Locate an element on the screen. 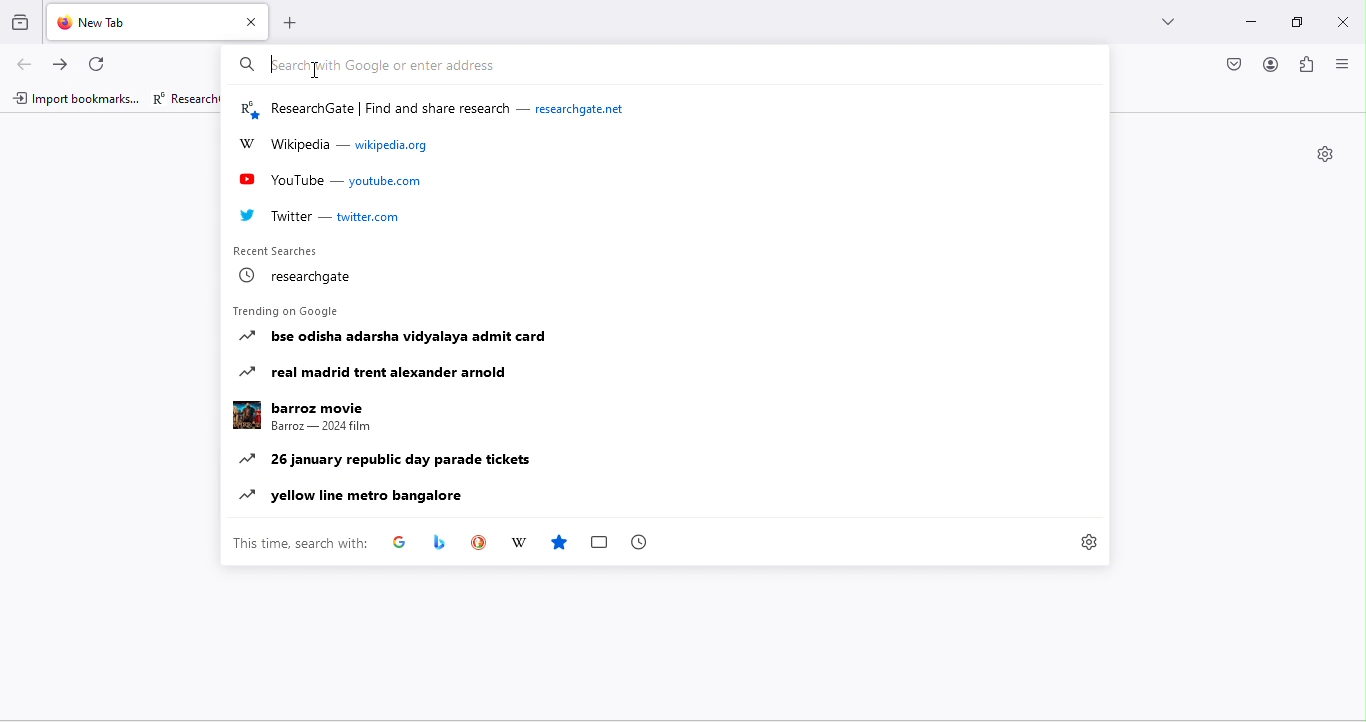 The height and width of the screenshot is (722, 1366). wikipedia is located at coordinates (521, 543).